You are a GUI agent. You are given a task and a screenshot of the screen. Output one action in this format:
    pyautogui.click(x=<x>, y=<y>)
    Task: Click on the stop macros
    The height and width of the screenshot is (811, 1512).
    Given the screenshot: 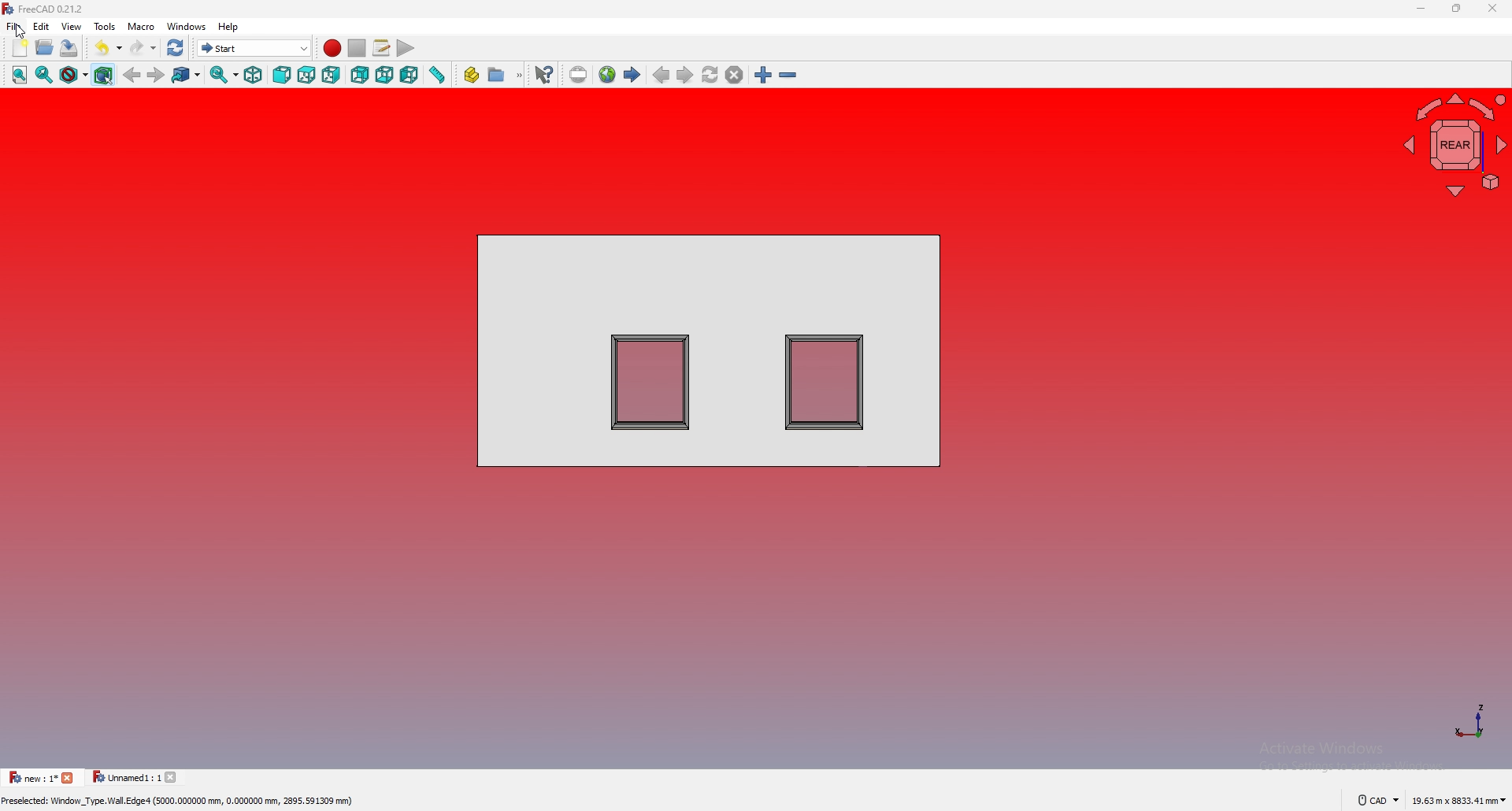 What is the action you would take?
    pyautogui.click(x=357, y=48)
    